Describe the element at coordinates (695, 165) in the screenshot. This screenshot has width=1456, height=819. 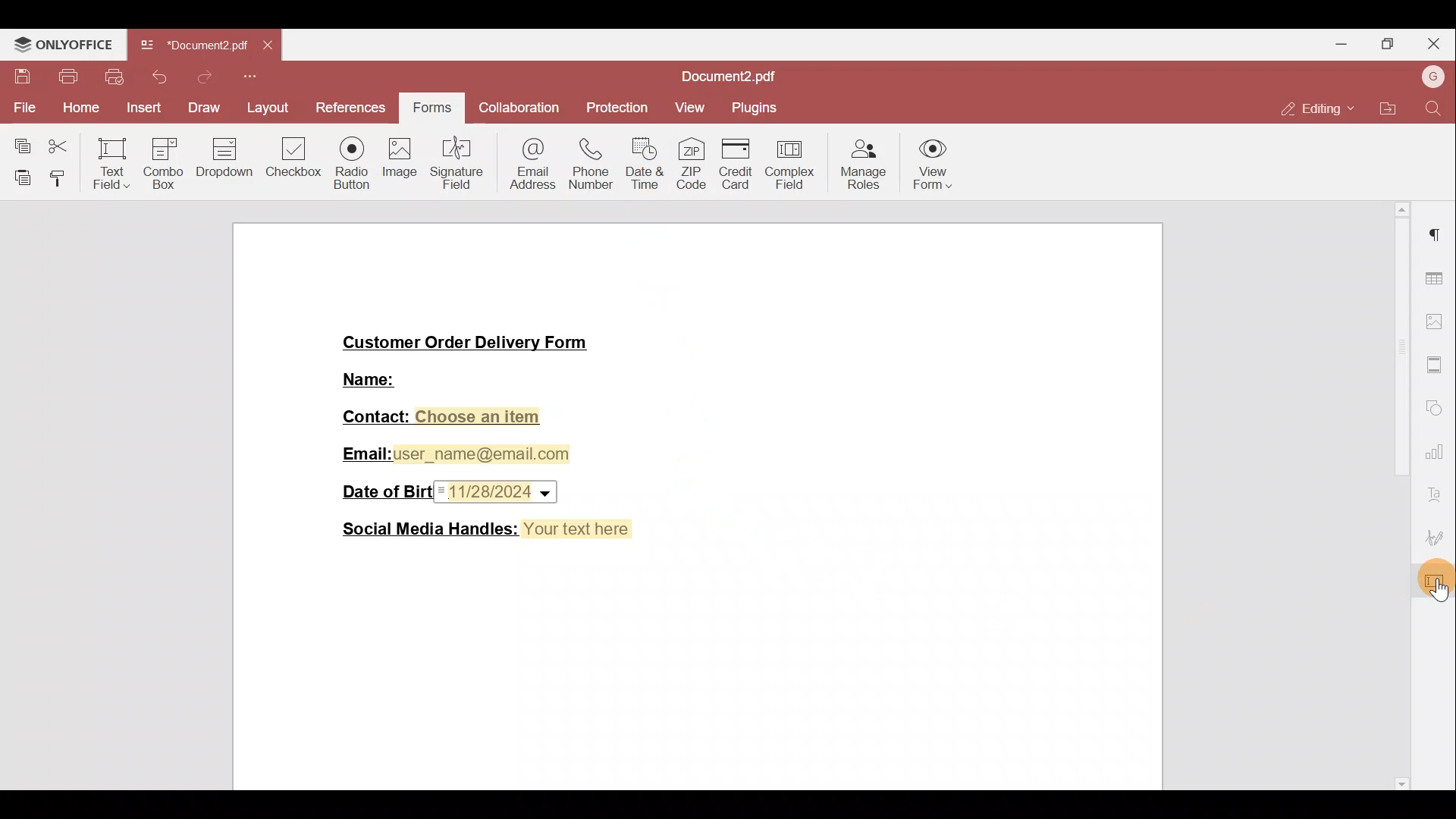
I see `ZIP code` at that location.